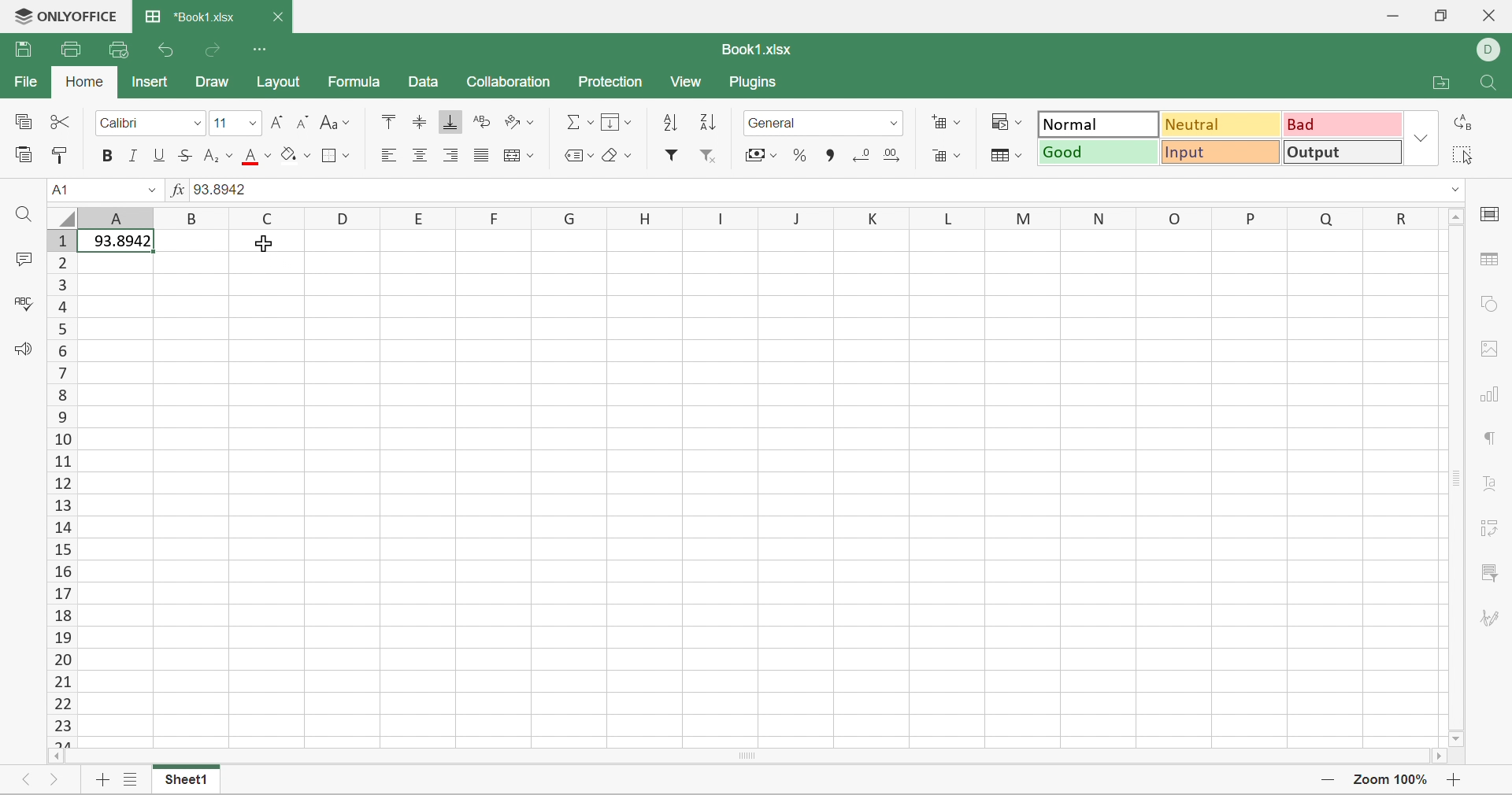  I want to click on Delete cells, so click(946, 153).